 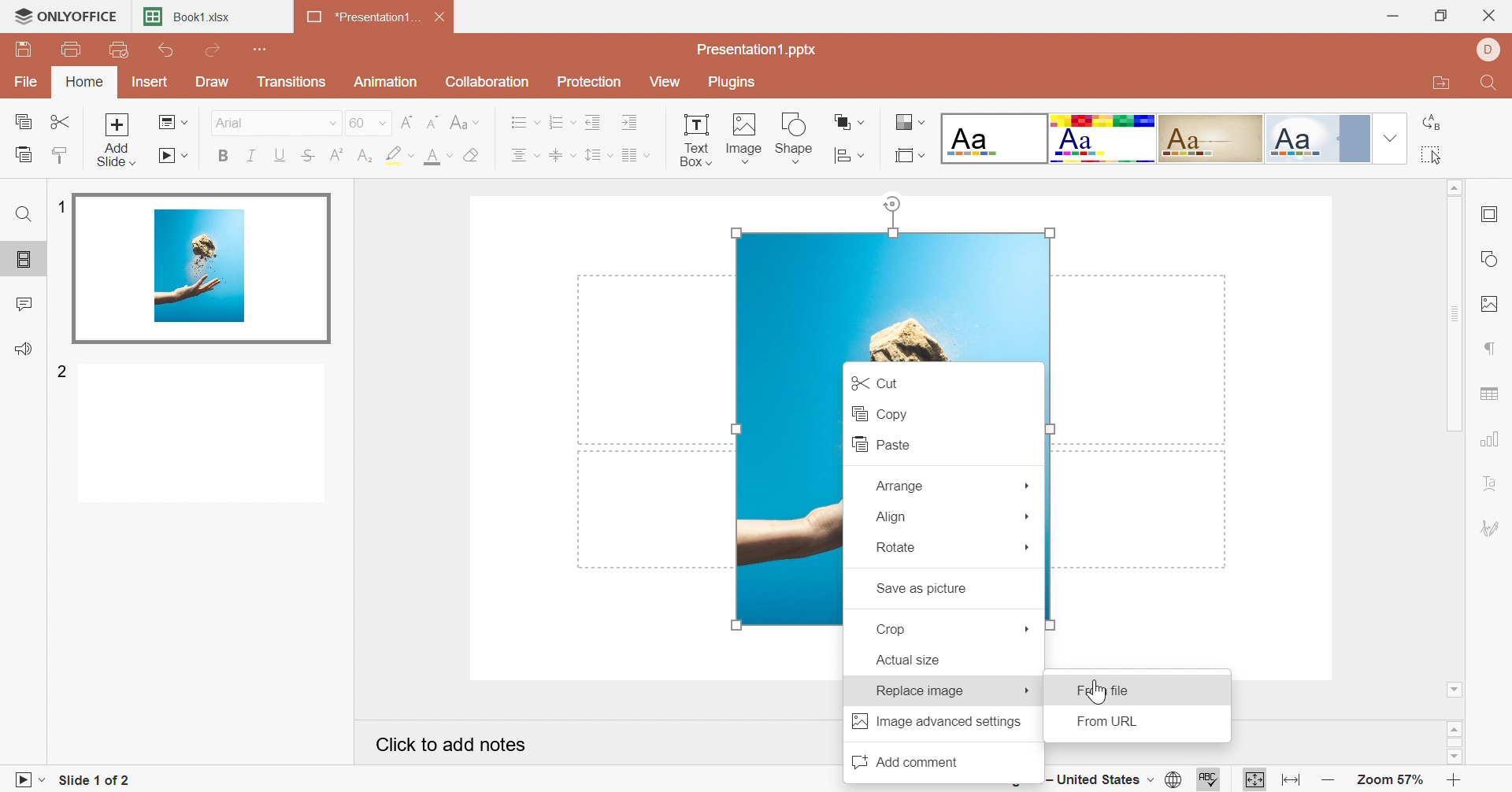 I want to click on Collaboration, so click(x=489, y=81).